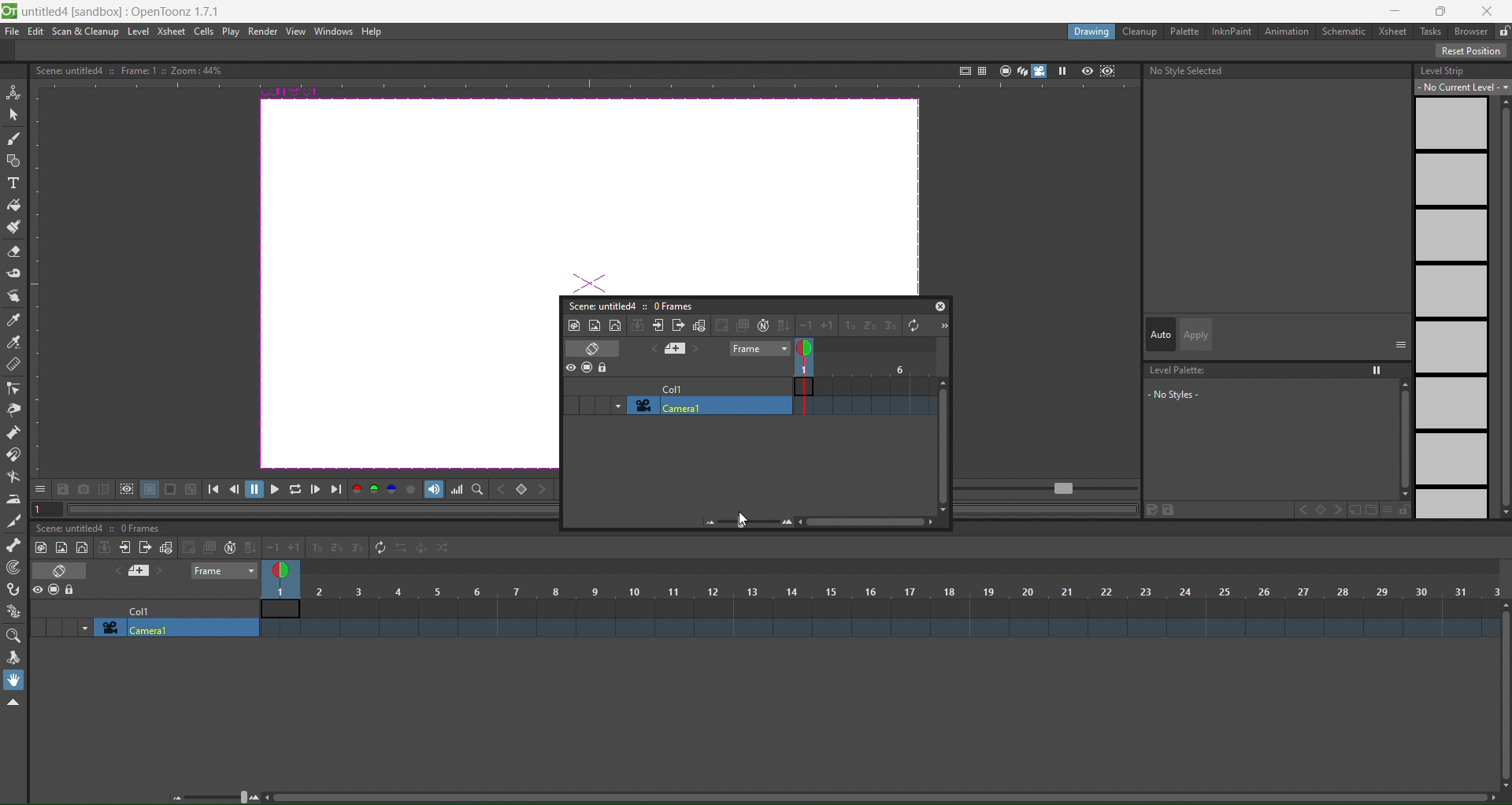 The height and width of the screenshot is (805, 1512). Describe the element at coordinates (128, 69) in the screenshot. I see `text` at that location.